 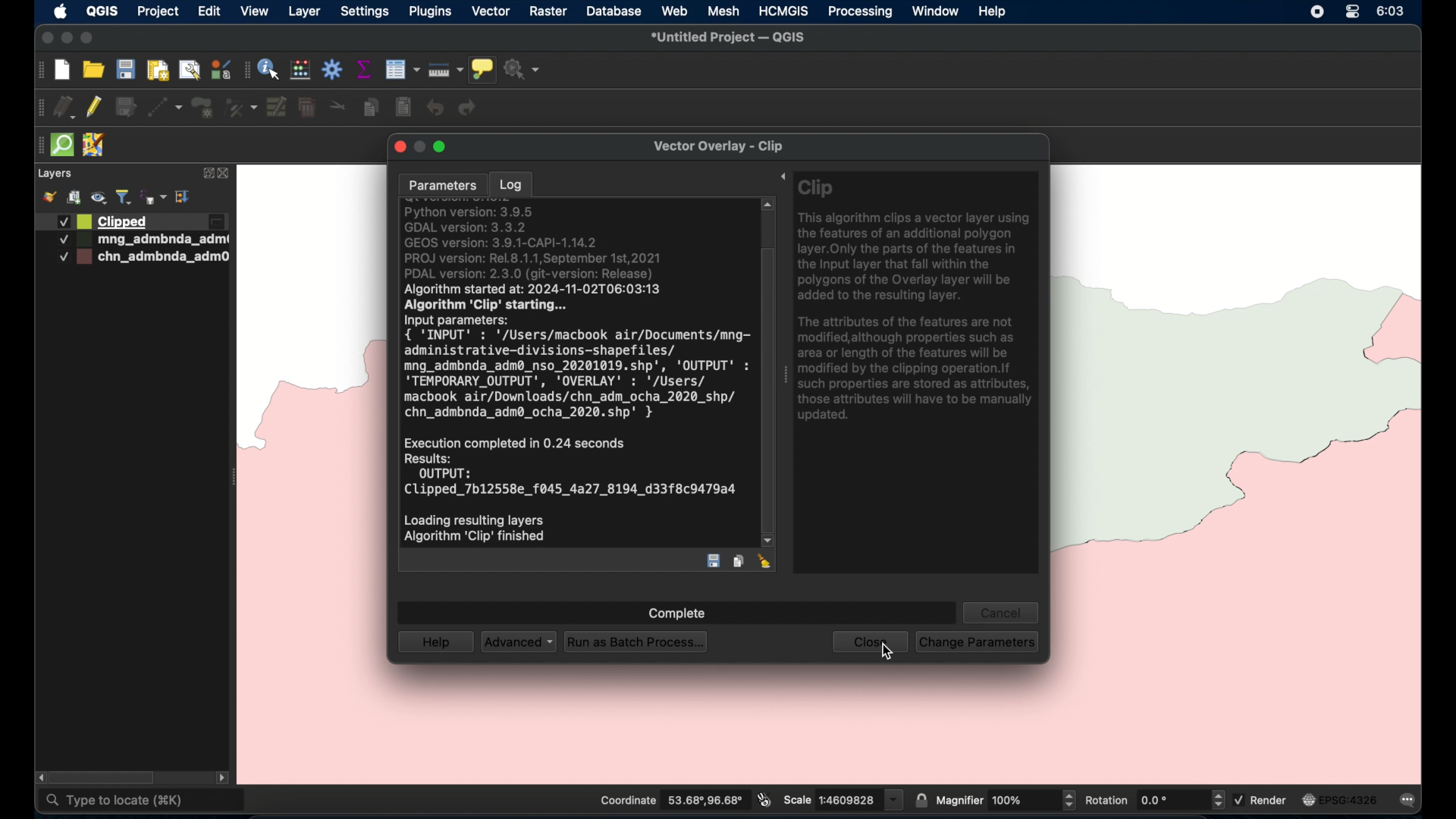 What do you see at coordinates (768, 205) in the screenshot?
I see `scroll up arrow` at bounding box center [768, 205].